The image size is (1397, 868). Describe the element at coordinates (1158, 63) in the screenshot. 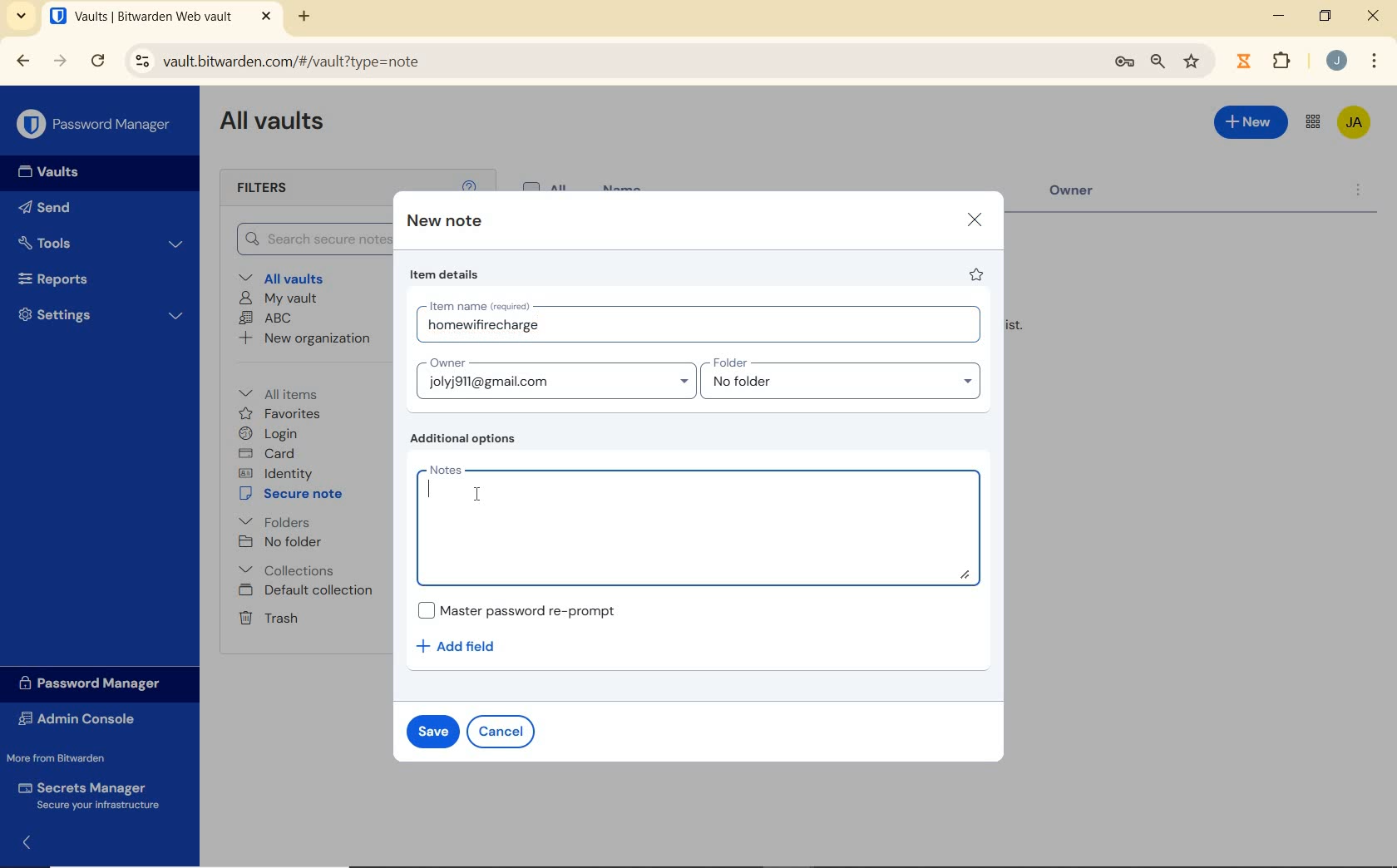

I see `zoom` at that location.